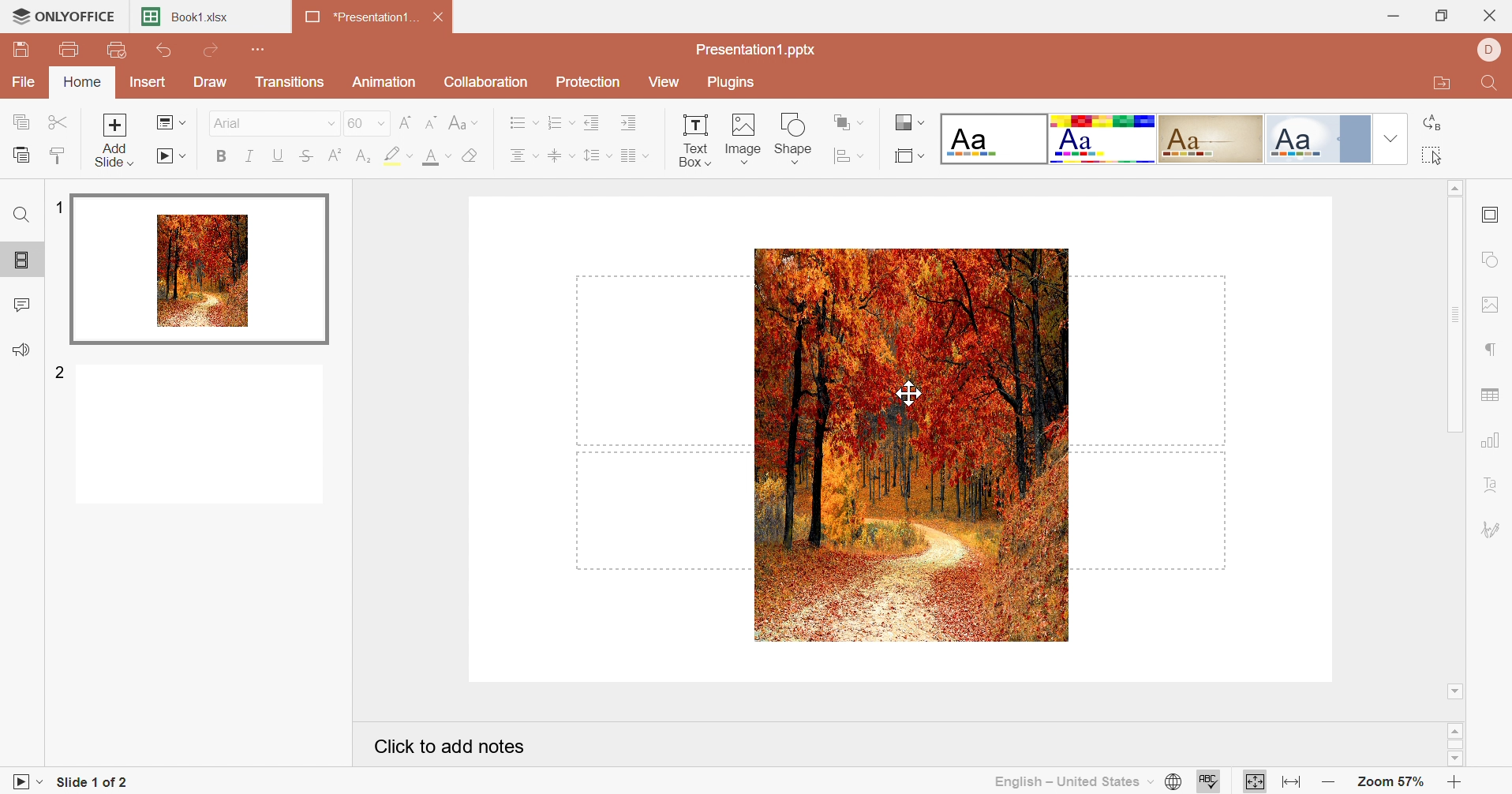 The height and width of the screenshot is (794, 1512). I want to click on 2, so click(61, 370).